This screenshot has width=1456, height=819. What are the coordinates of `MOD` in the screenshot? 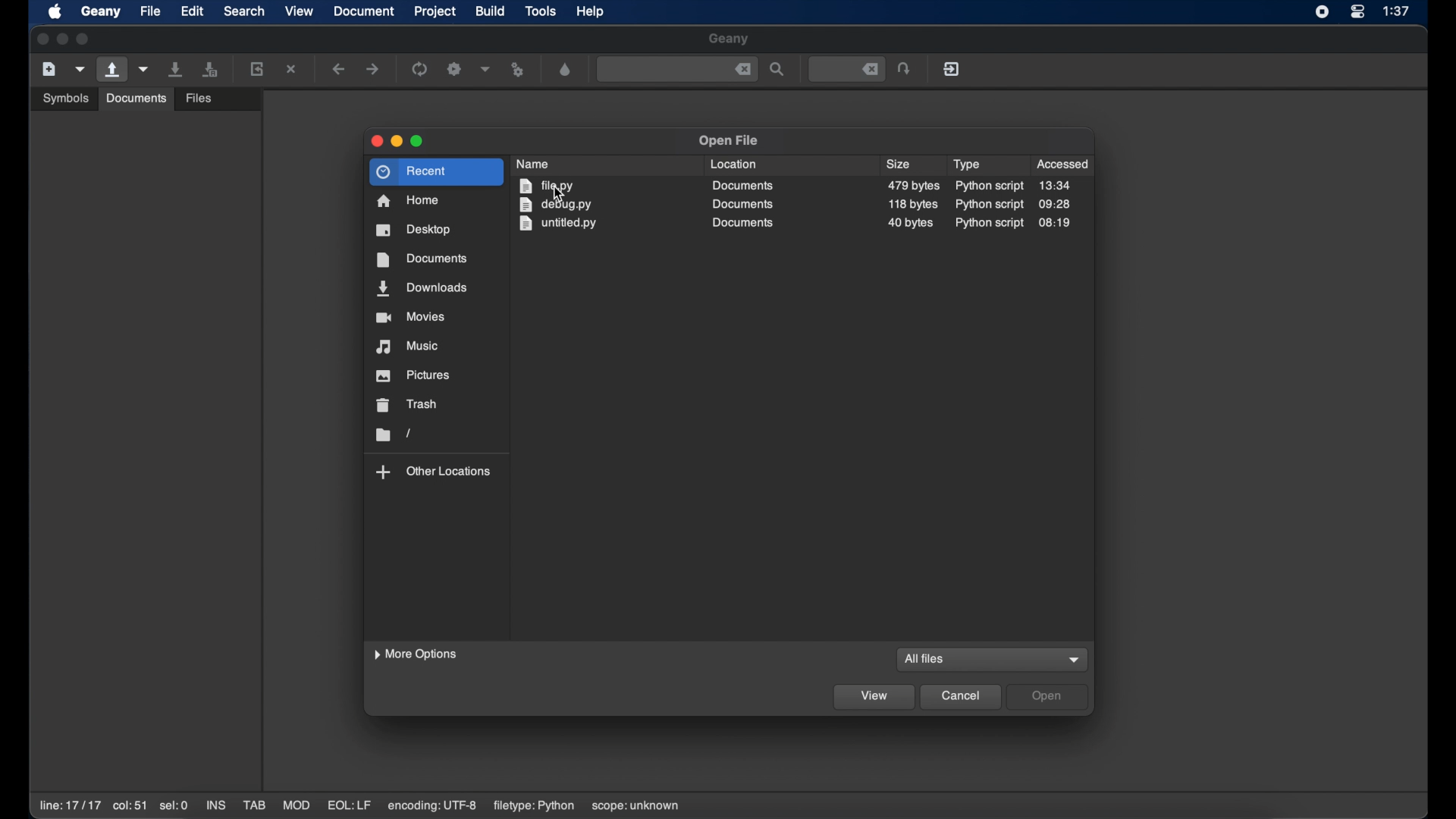 It's located at (297, 805).